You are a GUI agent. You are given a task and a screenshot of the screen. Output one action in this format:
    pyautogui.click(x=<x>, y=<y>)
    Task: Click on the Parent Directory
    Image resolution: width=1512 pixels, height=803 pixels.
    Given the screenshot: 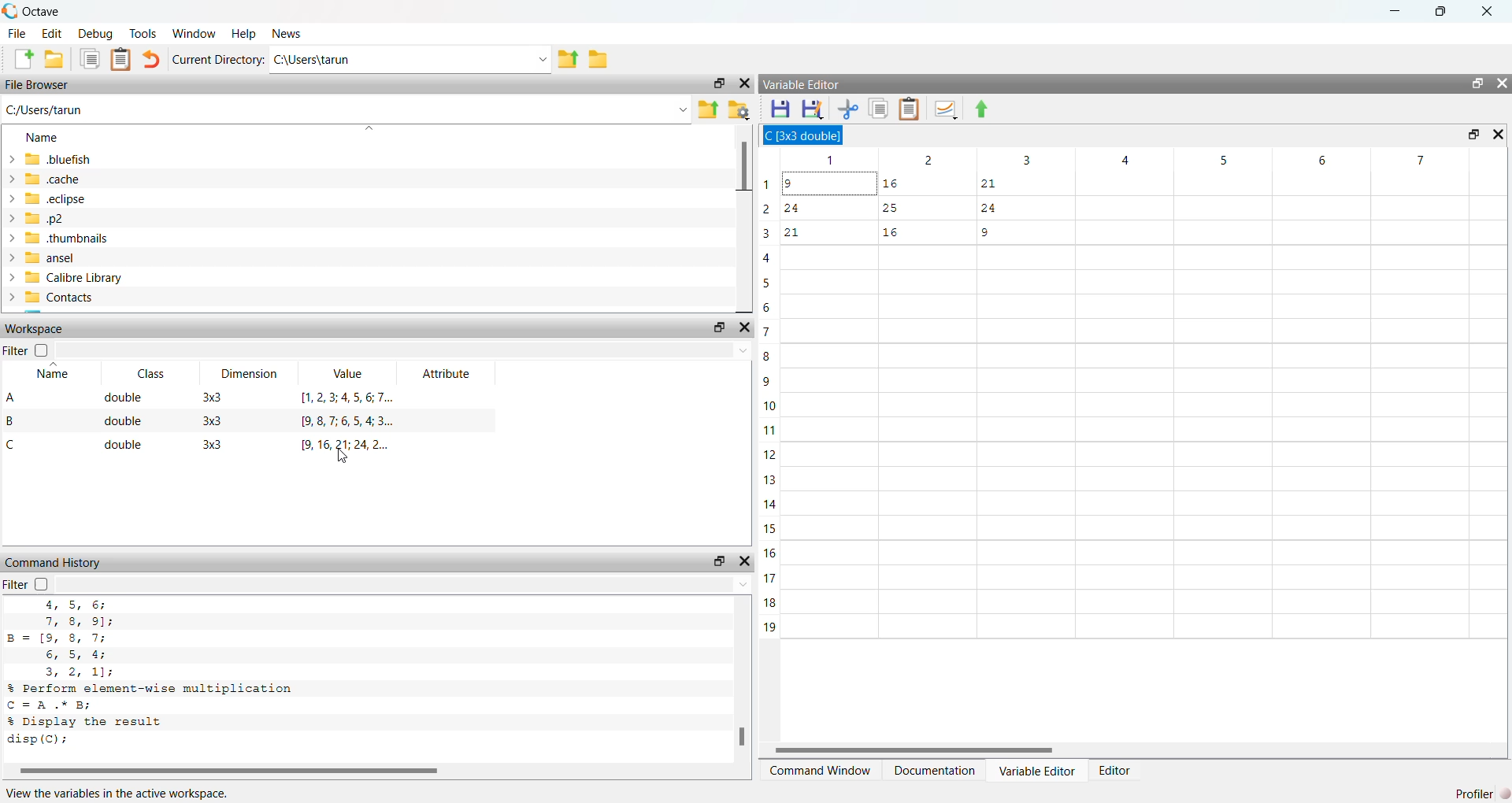 What is the action you would take?
    pyautogui.click(x=567, y=60)
    